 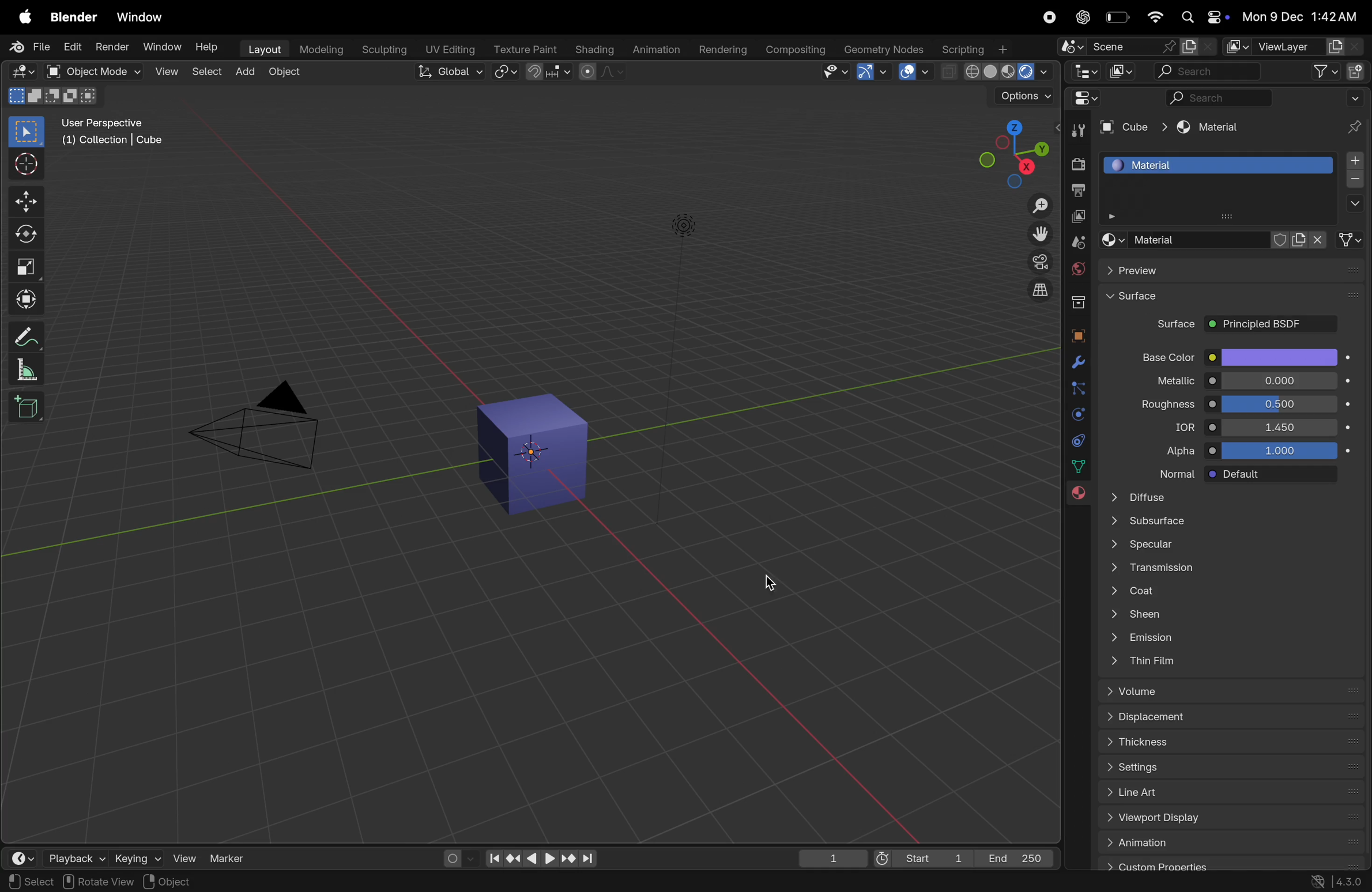 What do you see at coordinates (25, 201) in the screenshot?
I see `move` at bounding box center [25, 201].